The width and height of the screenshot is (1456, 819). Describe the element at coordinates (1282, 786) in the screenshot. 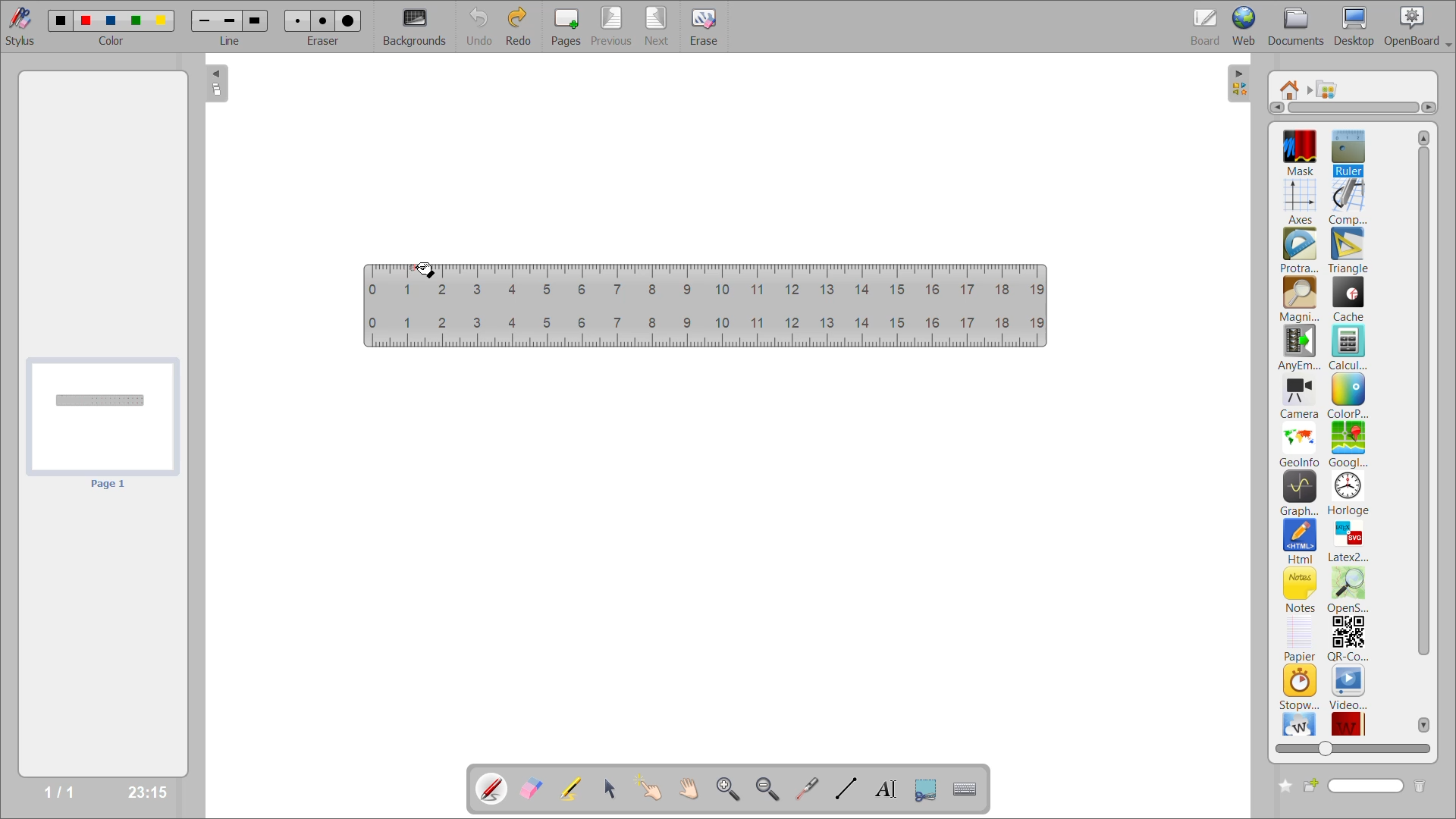

I see `create new folder` at that location.